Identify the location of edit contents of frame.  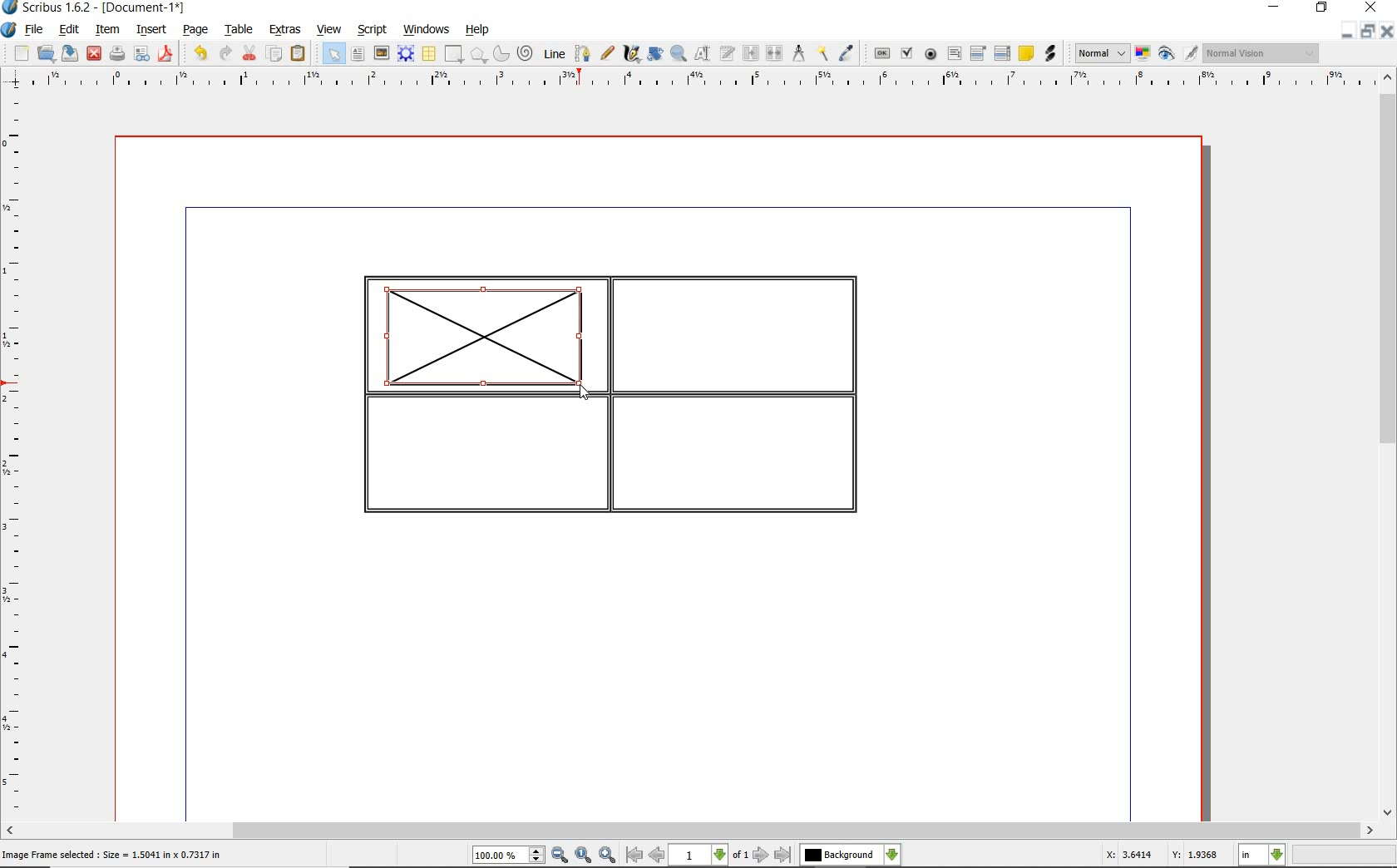
(703, 54).